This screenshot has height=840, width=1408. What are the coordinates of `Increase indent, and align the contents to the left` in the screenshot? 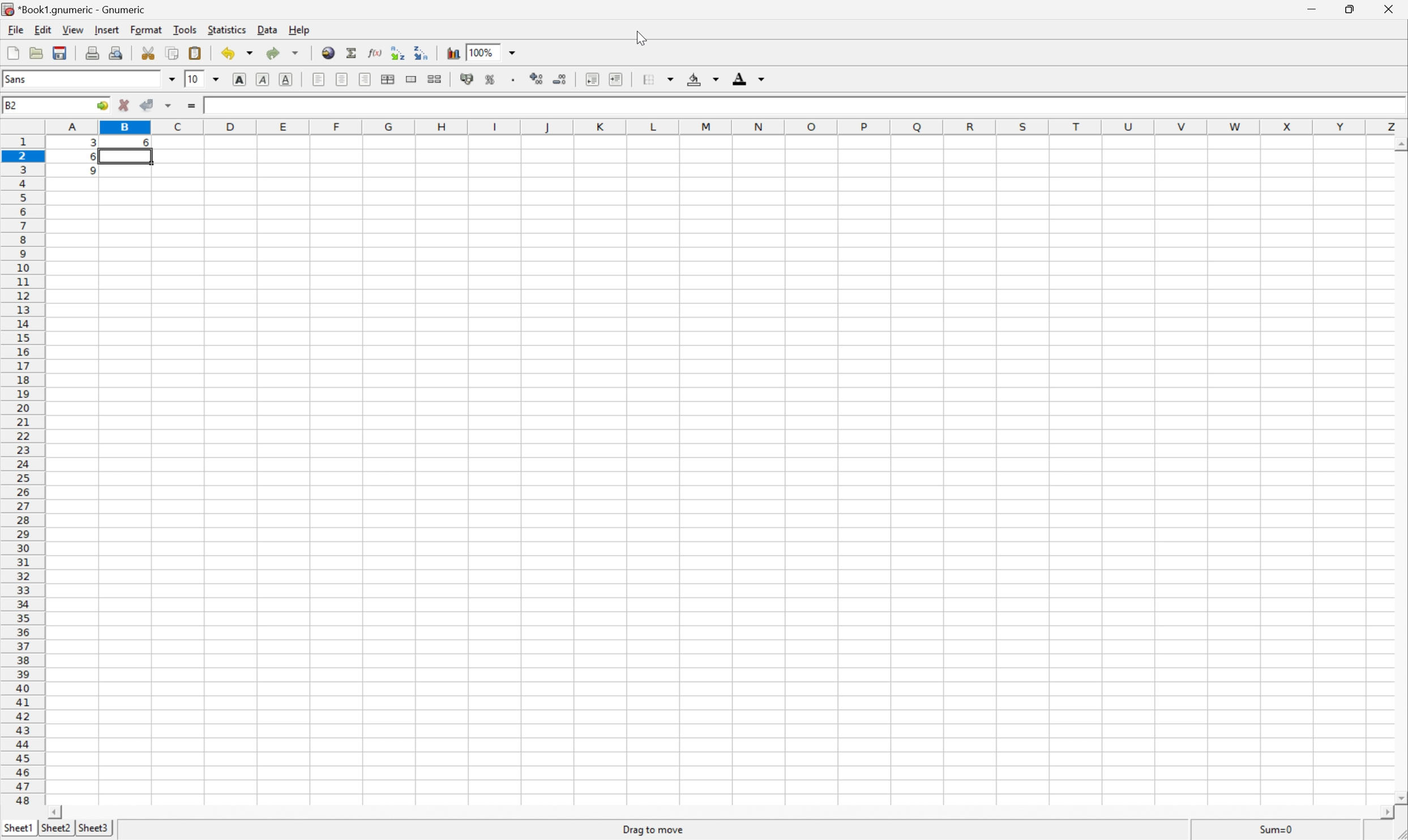 It's located at (617, 79).